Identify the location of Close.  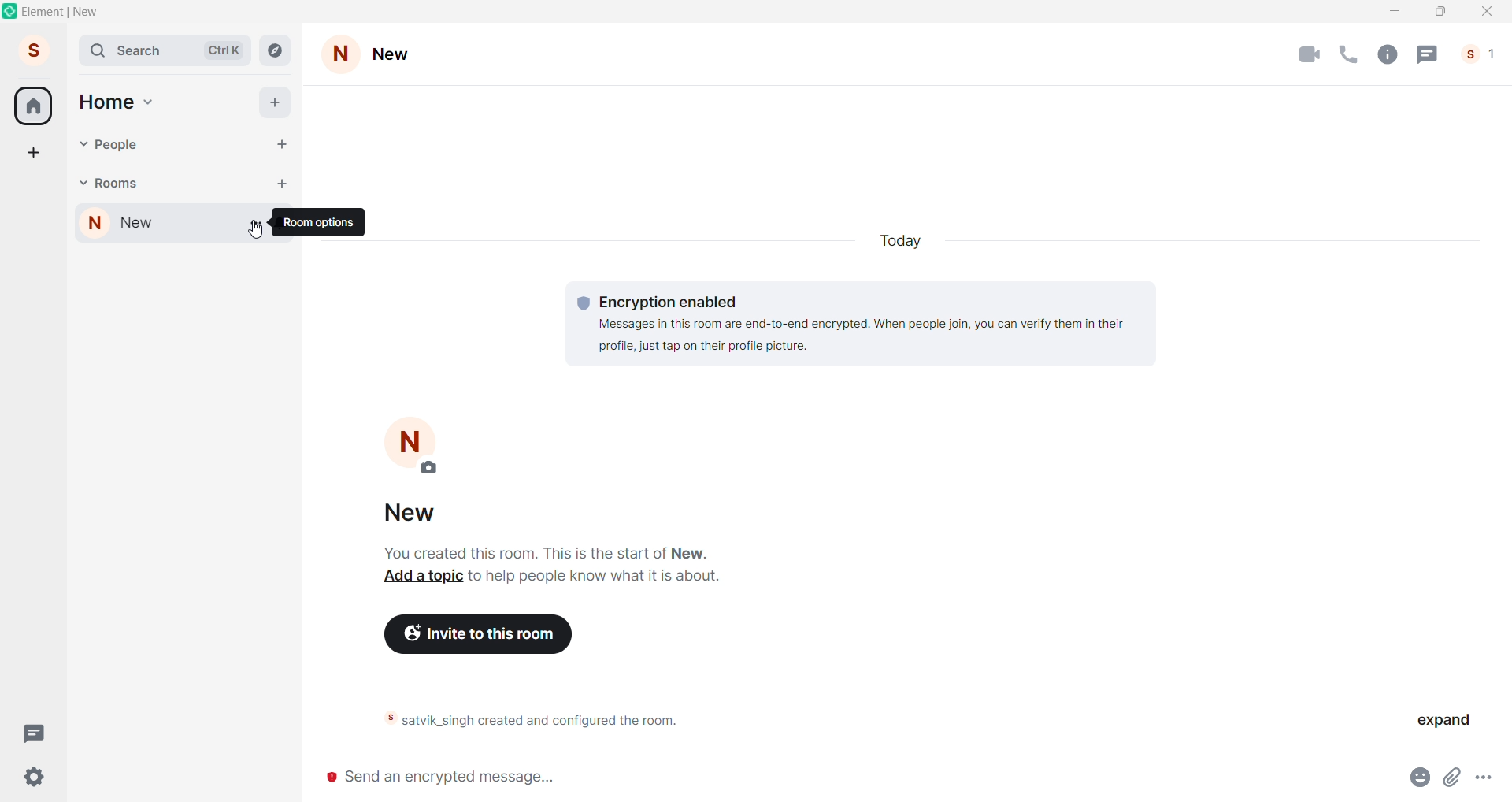
(1485, 12).